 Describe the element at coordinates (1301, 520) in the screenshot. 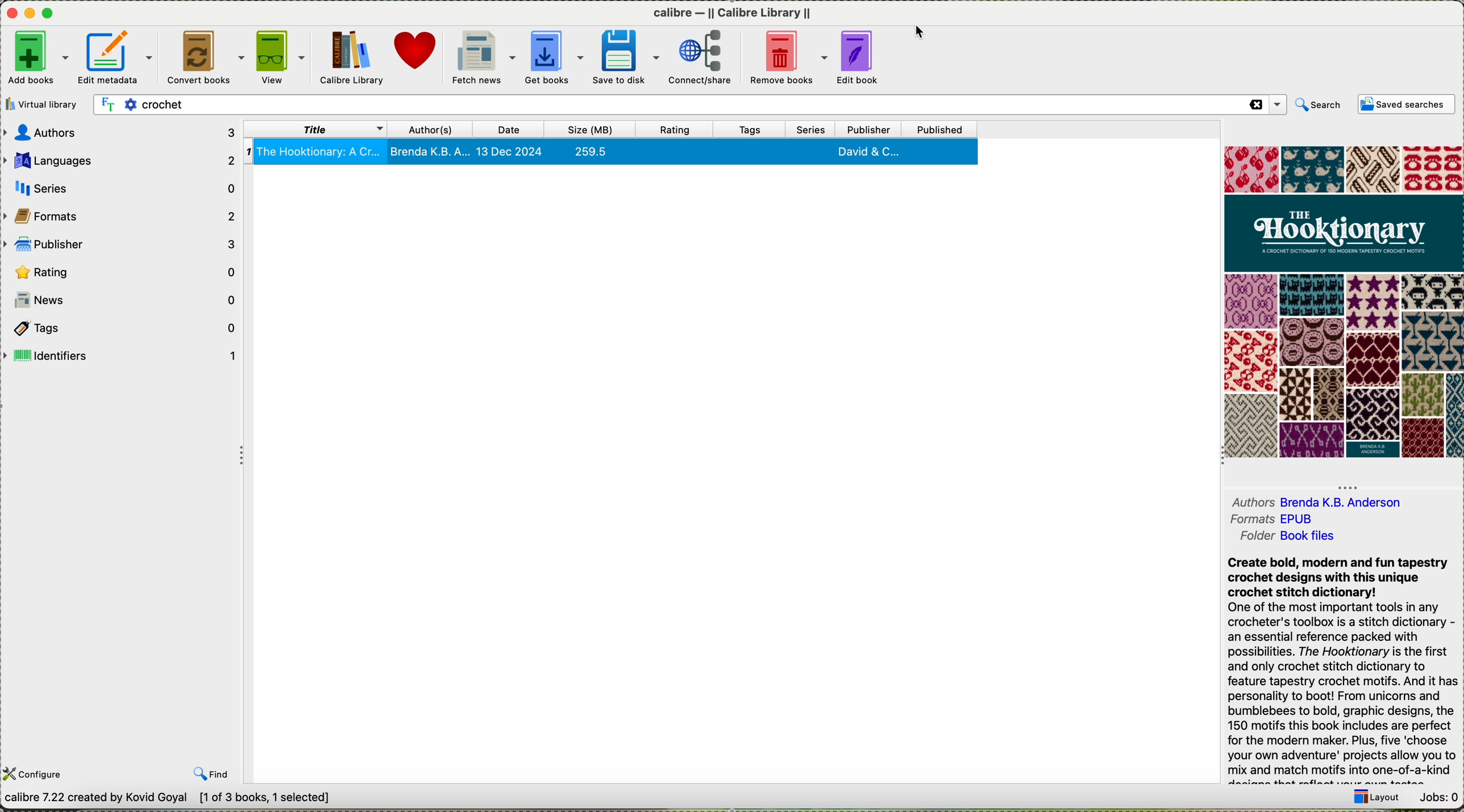

I see `EPUB` at that location.